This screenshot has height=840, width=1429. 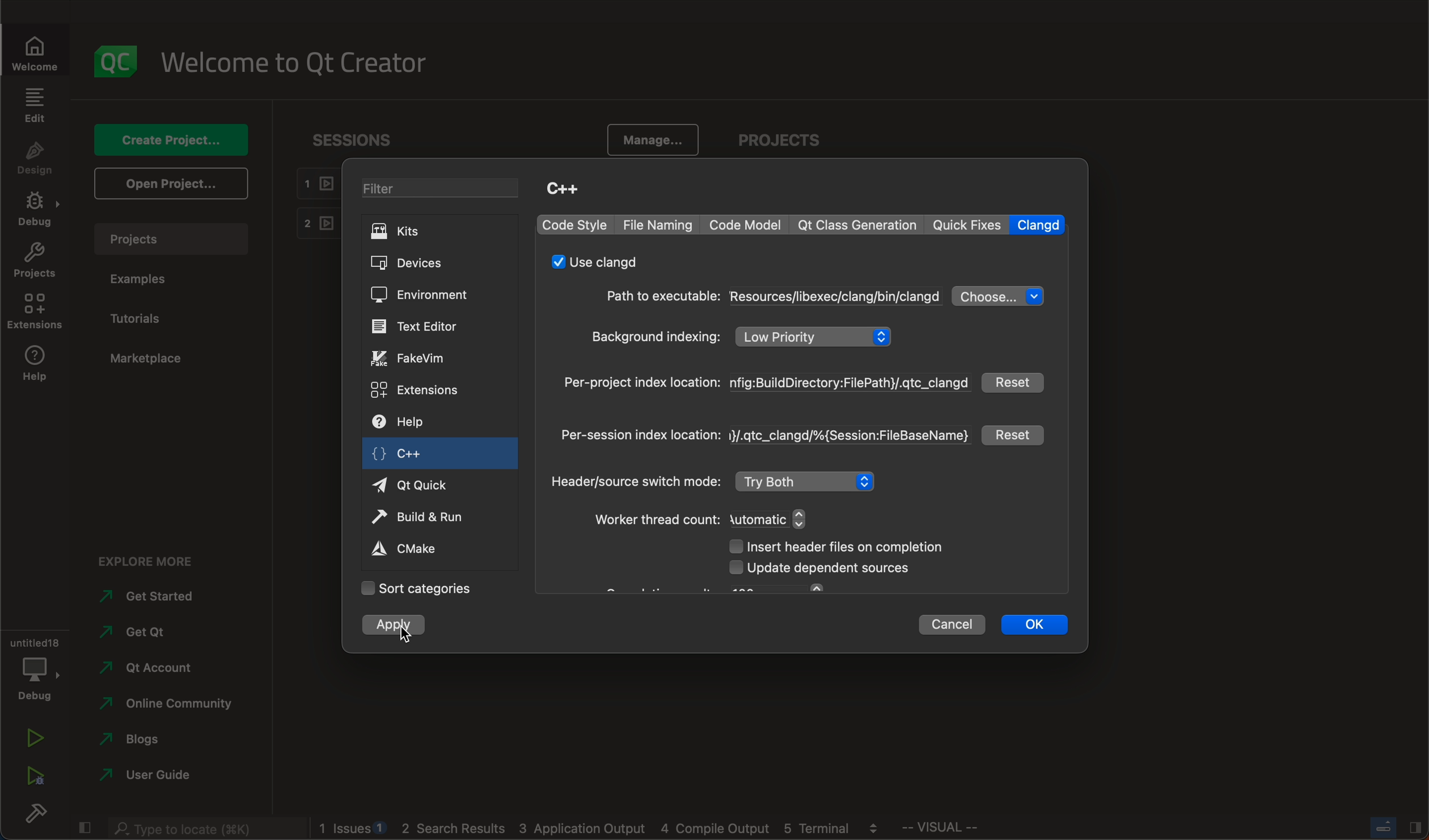 I want to click on close slide bar, so click(x=85, y=828).